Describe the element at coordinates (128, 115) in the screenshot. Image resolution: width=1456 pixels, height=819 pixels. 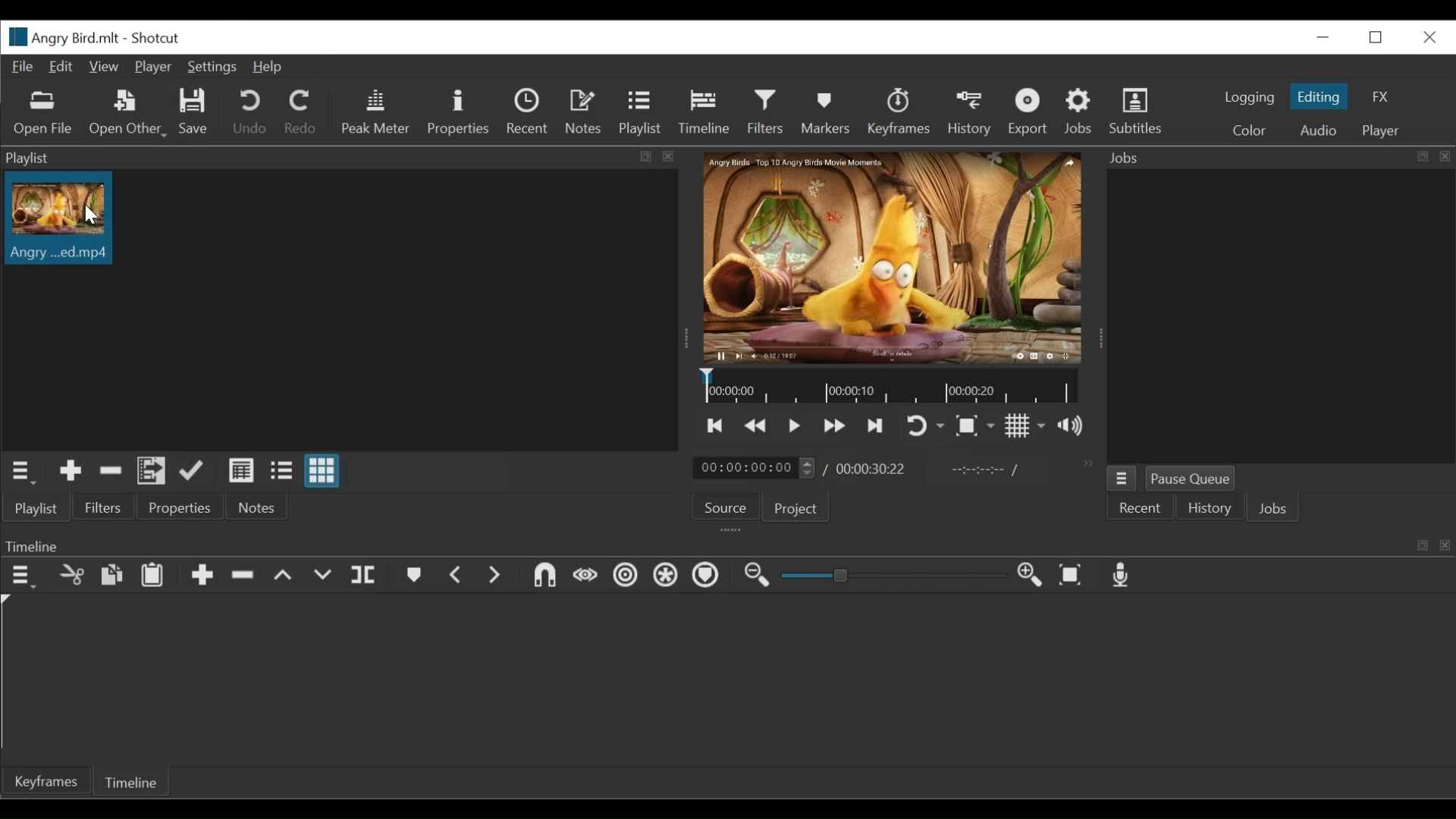
I see `Open Other` at that location.